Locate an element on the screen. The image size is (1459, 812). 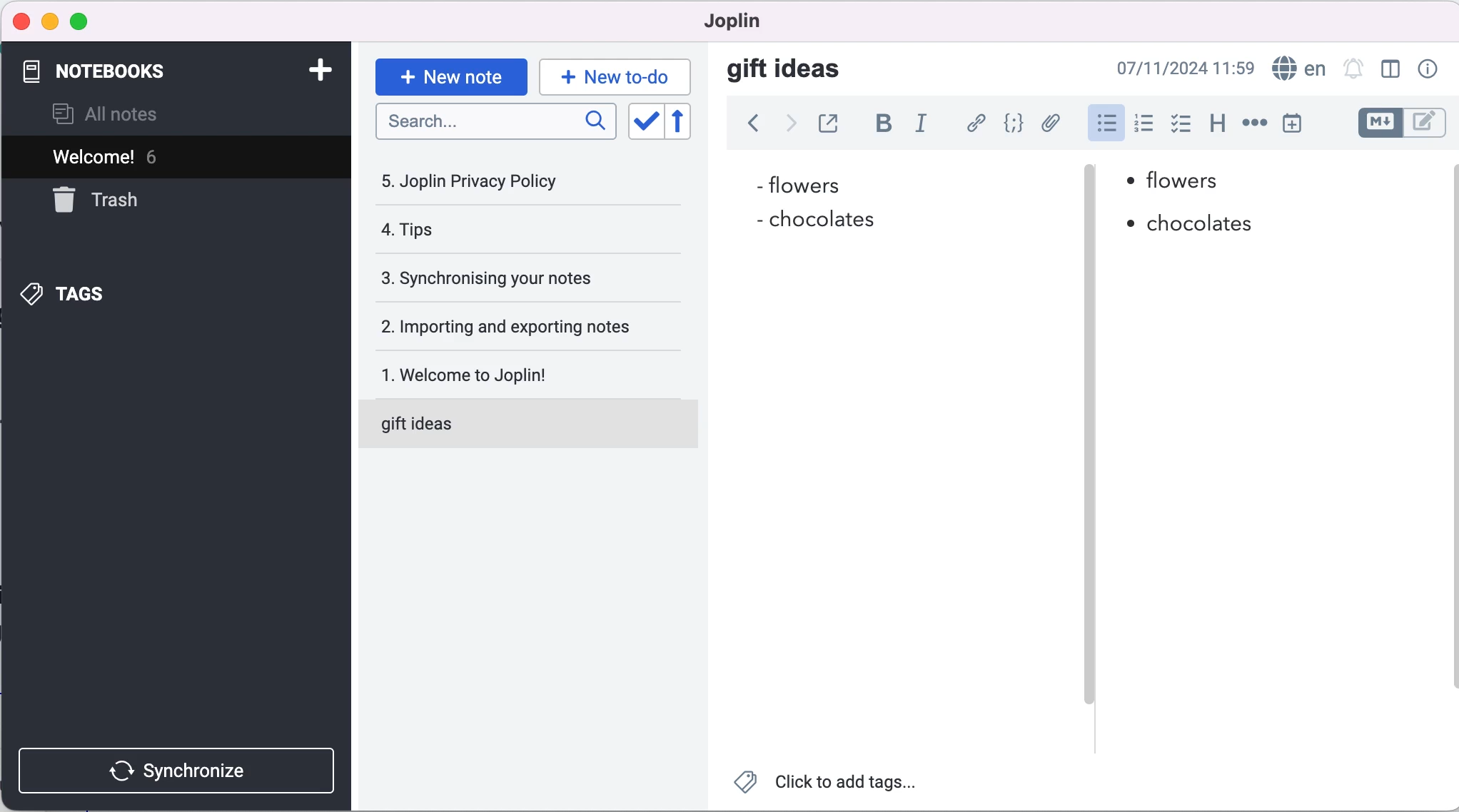
synchronize is located at coordinates (175, 768).